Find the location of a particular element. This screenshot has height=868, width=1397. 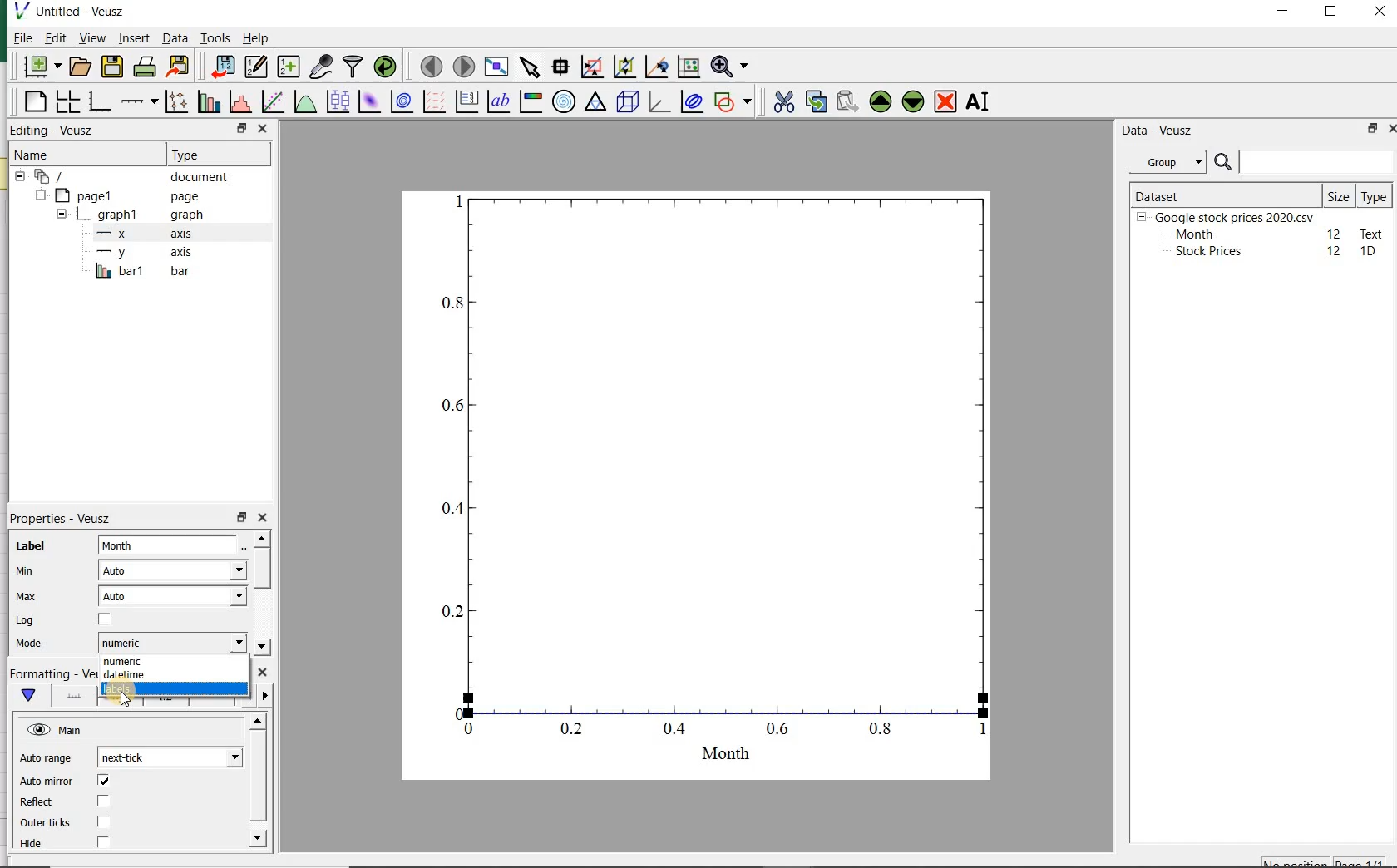

Type is located at coordinates (1374, 195).